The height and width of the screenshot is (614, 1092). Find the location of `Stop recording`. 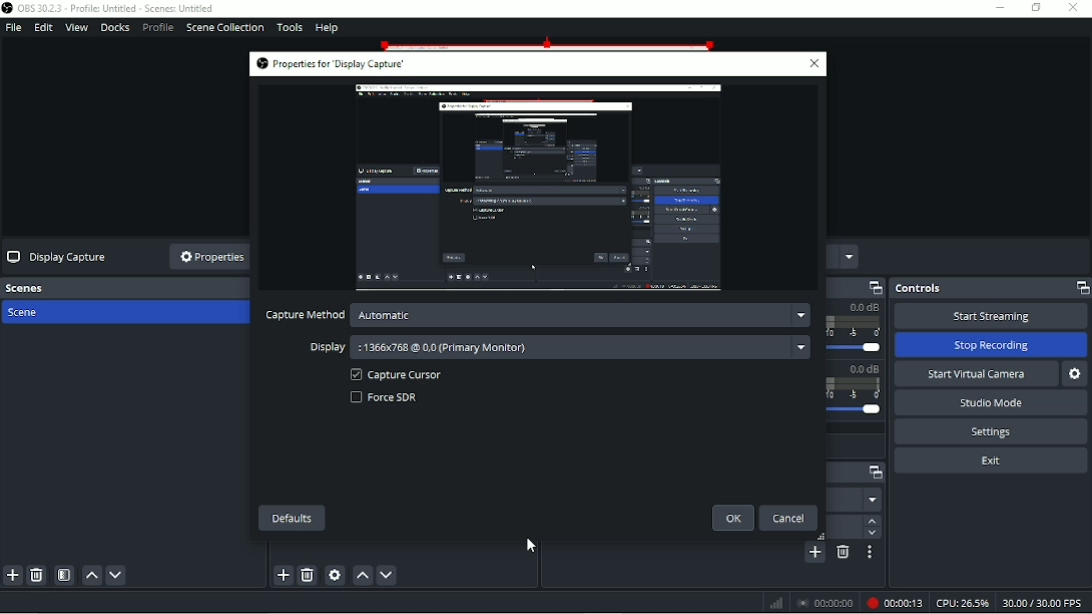

Stop recording is located at coordinates (991, 345).